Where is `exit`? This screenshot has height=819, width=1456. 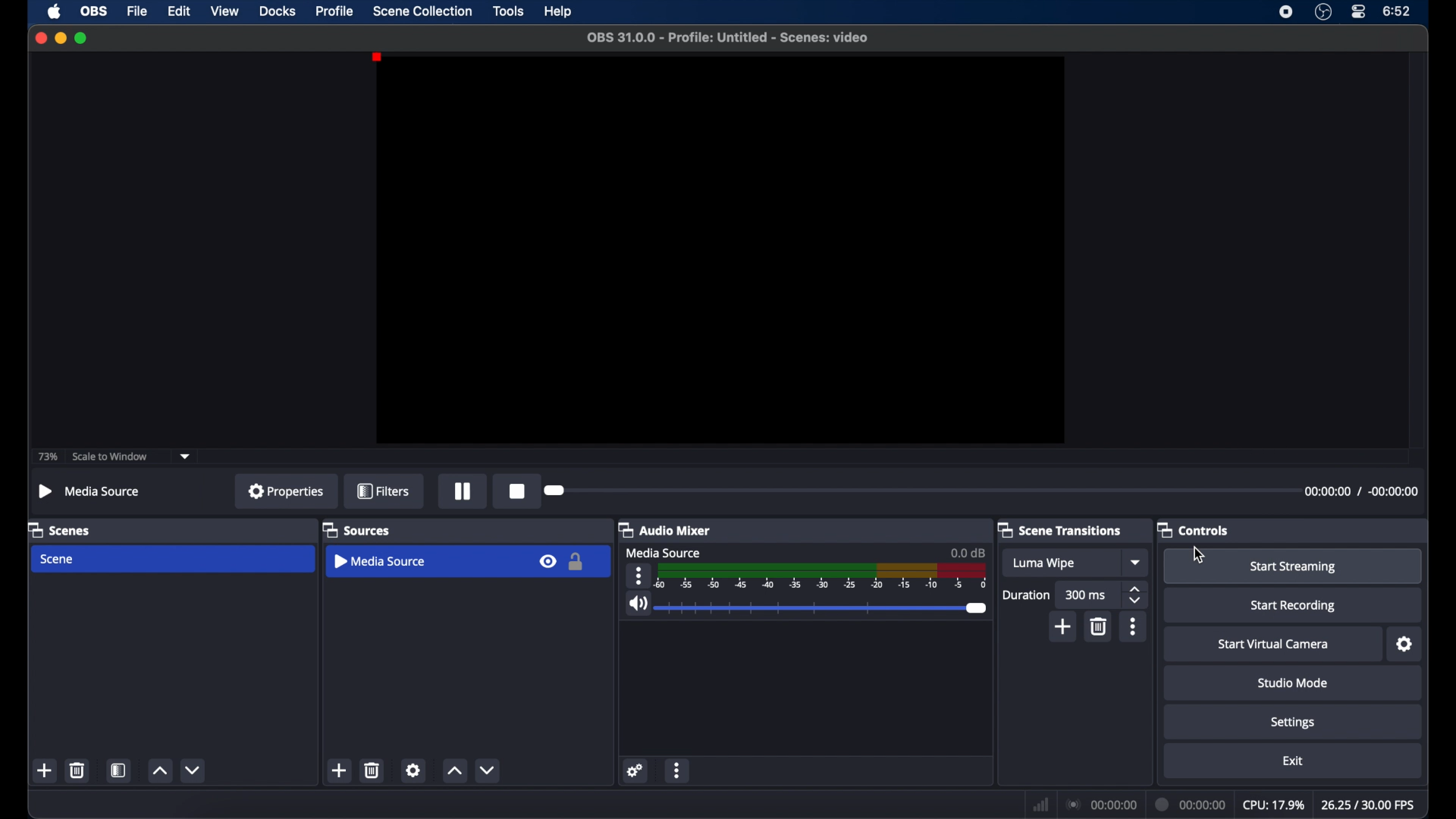
exit is located at coordinates (1293, 762).